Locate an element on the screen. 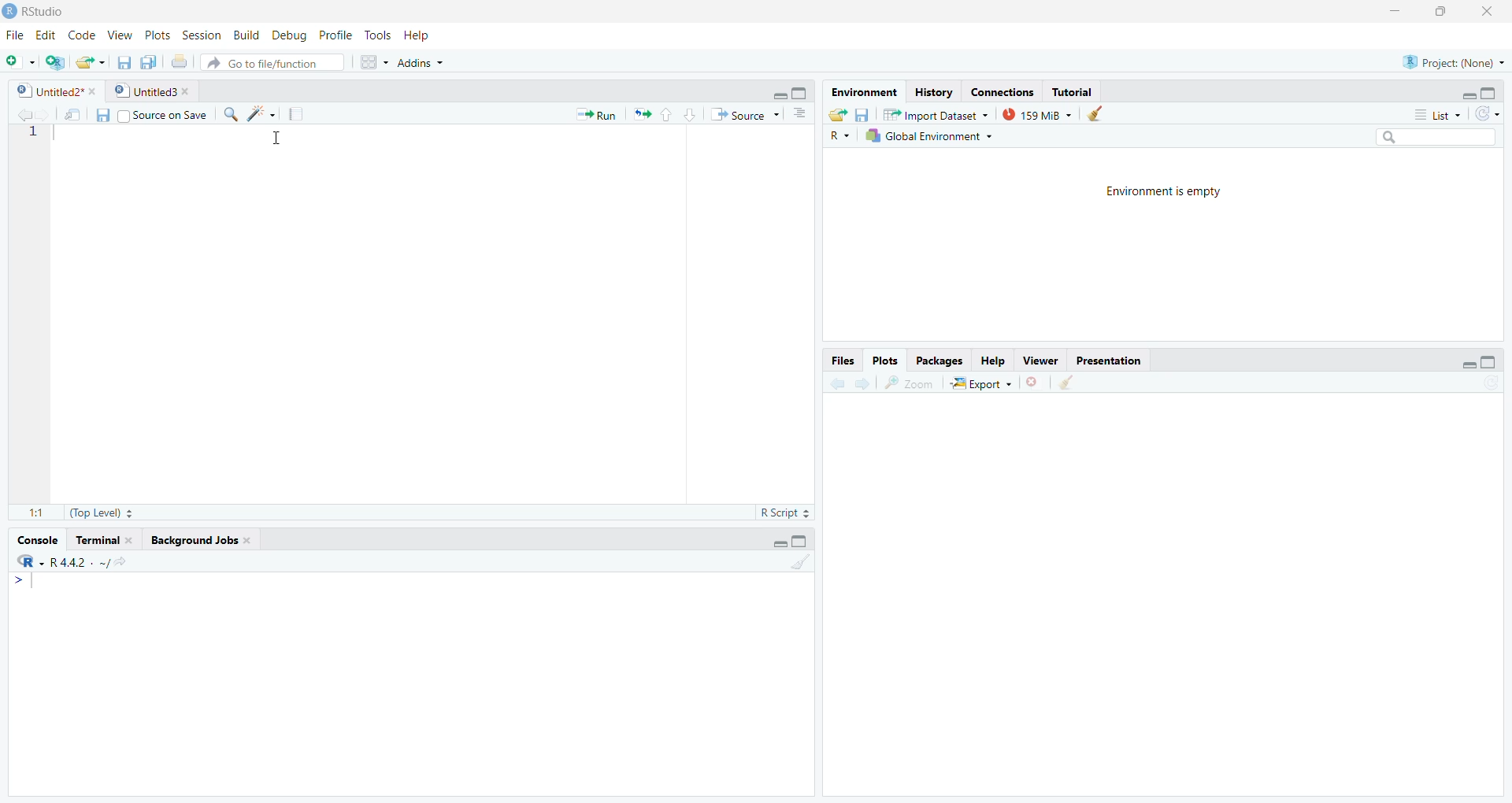 The height and width of the screenshot is (803, 1512). Back is located at coordinates (18, 116).